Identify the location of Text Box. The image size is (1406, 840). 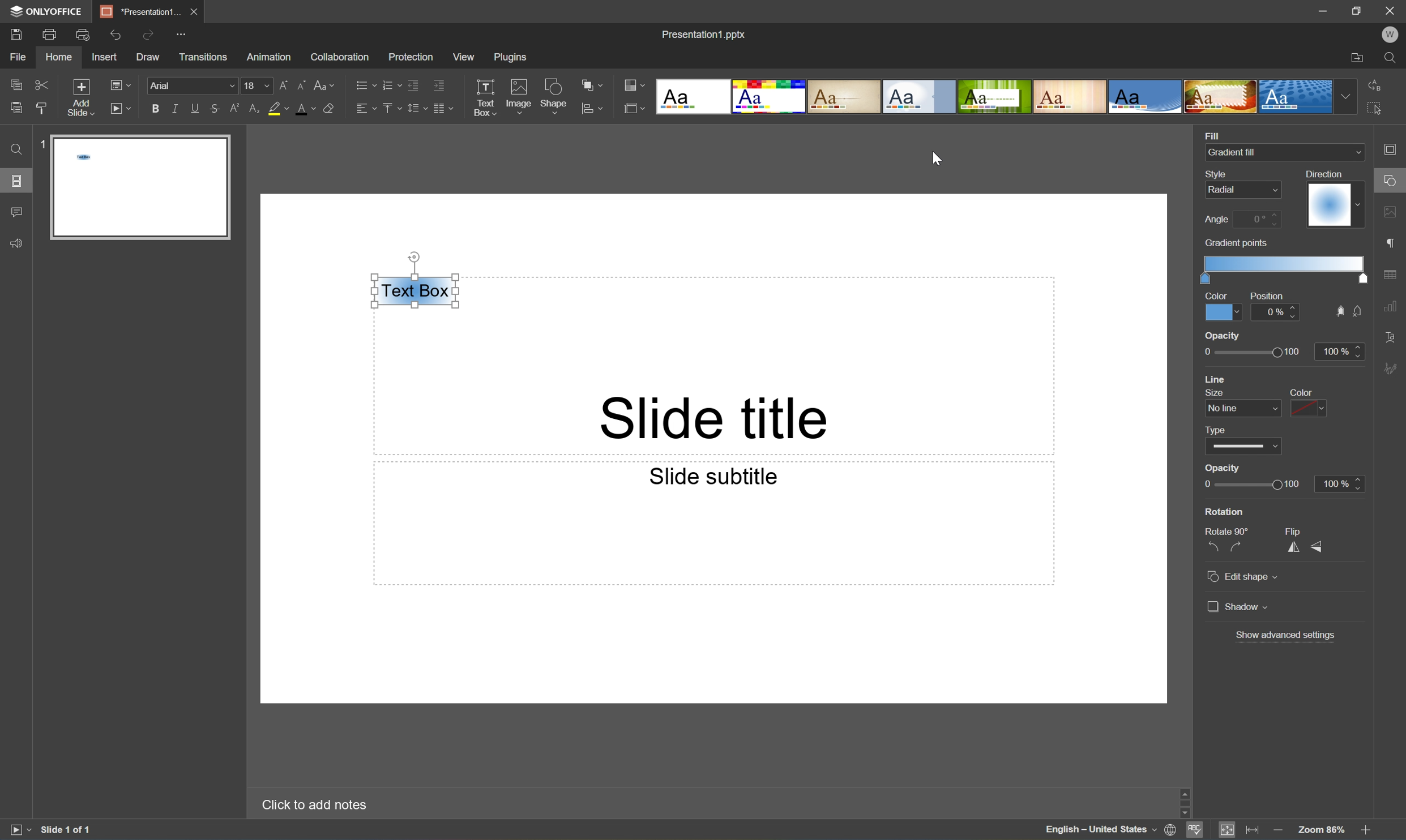
(415, 292).